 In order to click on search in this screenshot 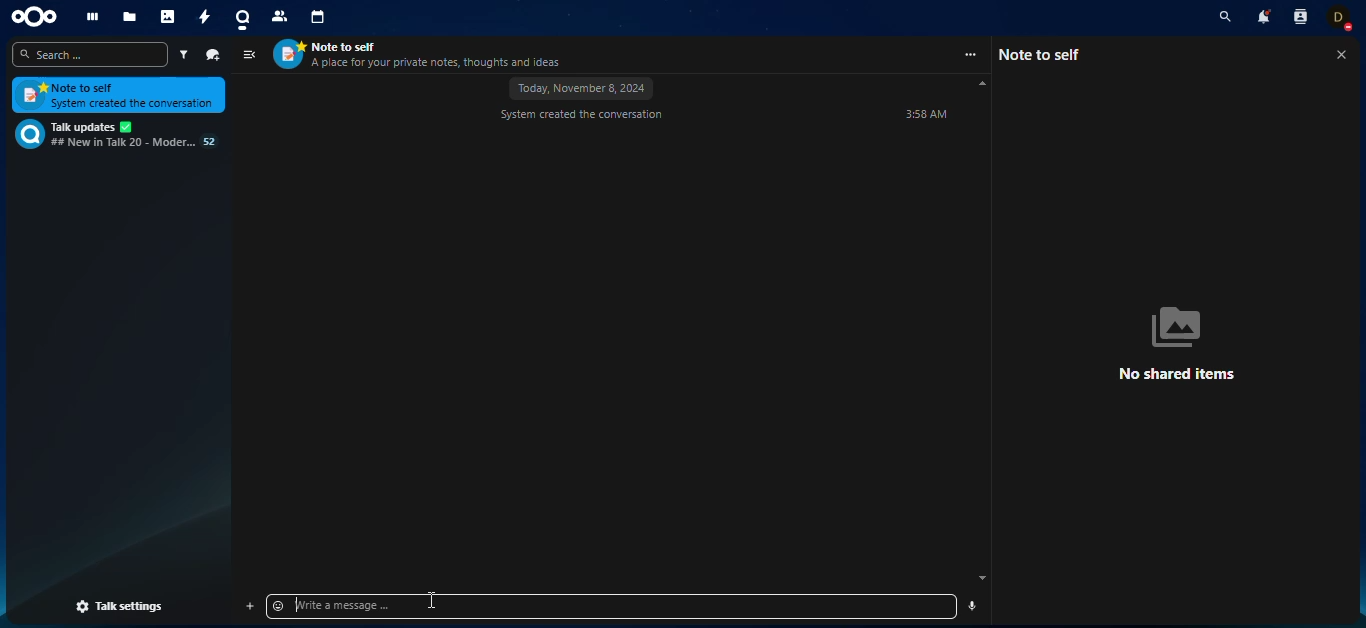, I will do `click(1221, 17)`.